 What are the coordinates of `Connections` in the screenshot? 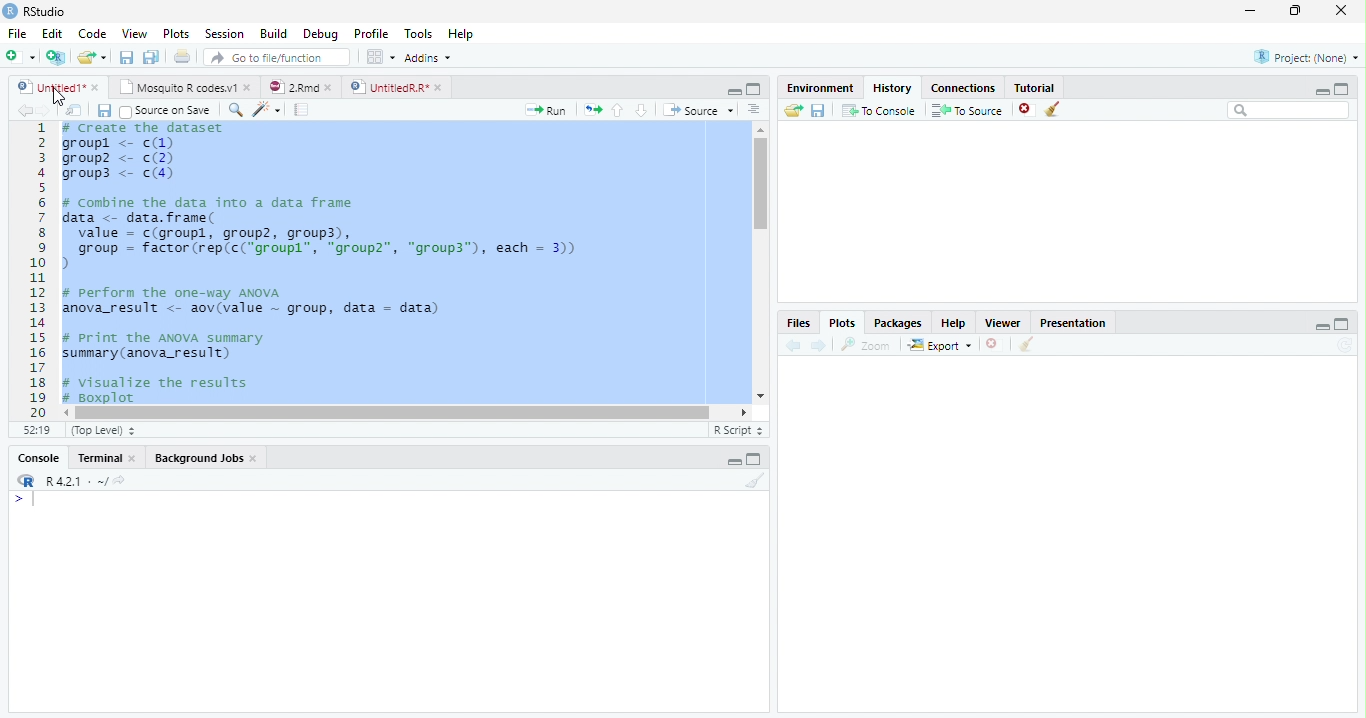 It's located at (965, 86).